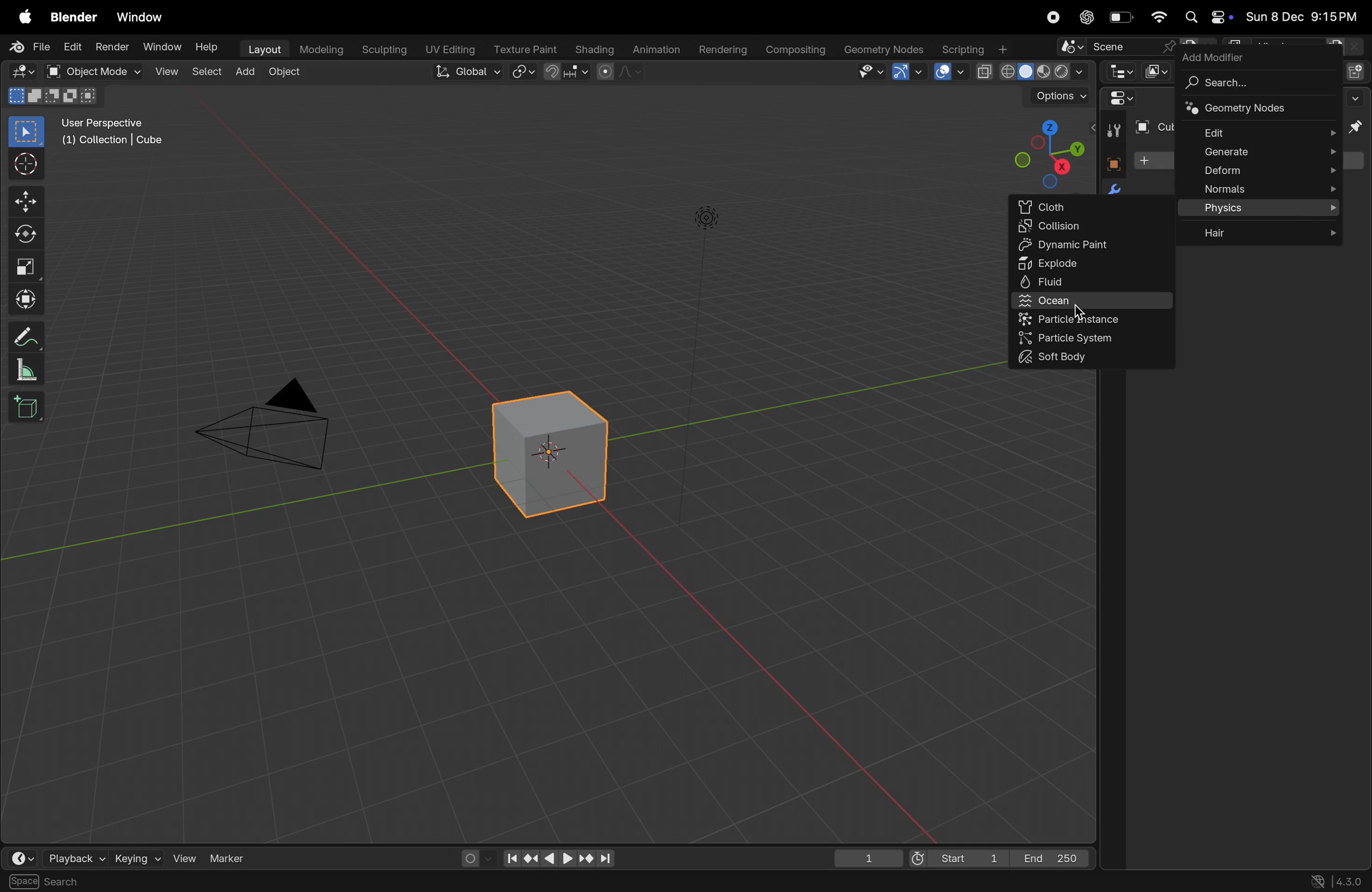 Image resolution: width=1372 pixels, height=892 pixels. What do you see at coordinates (1092, 205) in the screenshot?
I see `cloth` at bounding box center [1092, 205].